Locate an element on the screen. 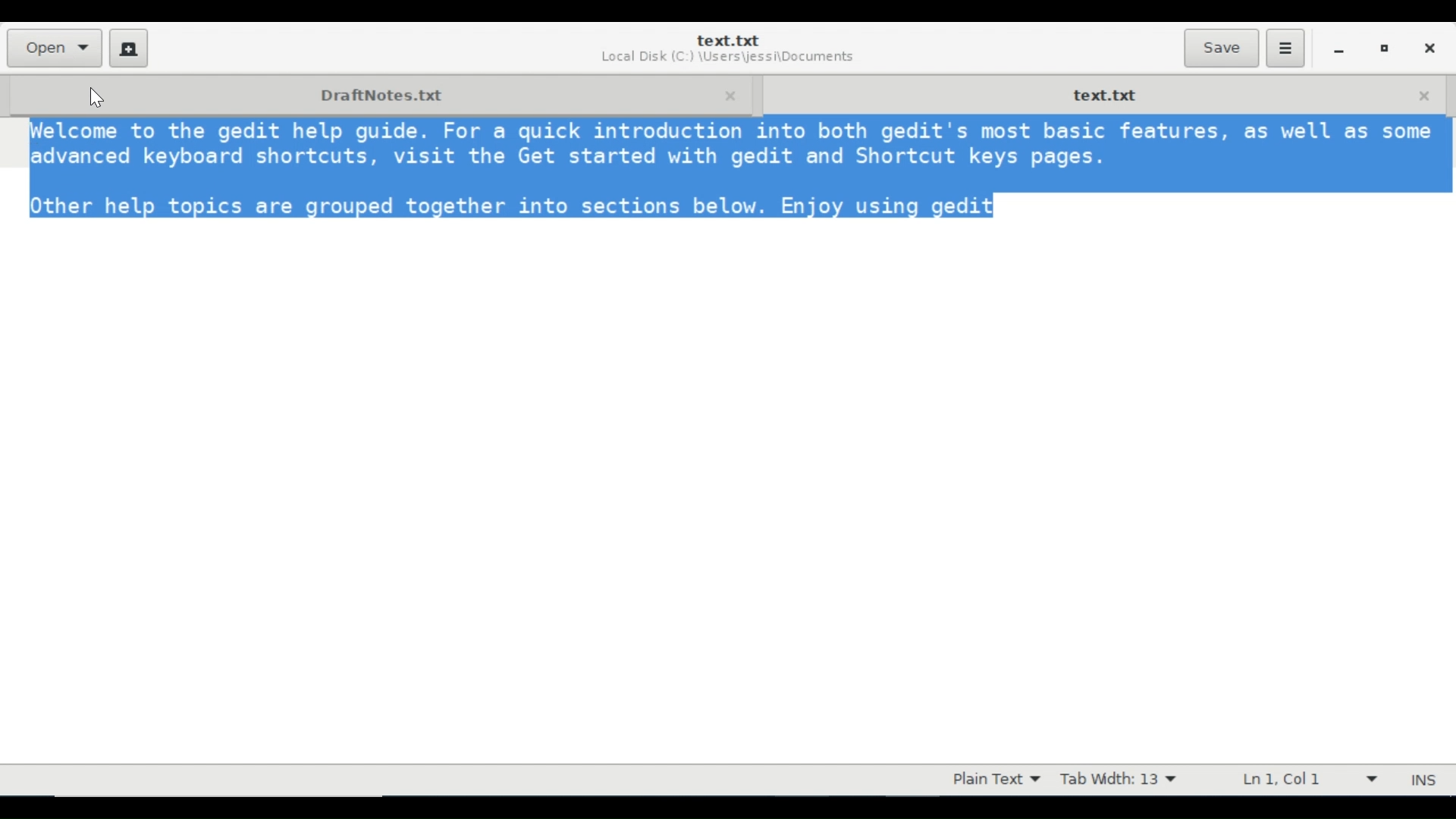 The height and width of the screenshot is (819, 1456). Create New is located at coordinates (129, 48).